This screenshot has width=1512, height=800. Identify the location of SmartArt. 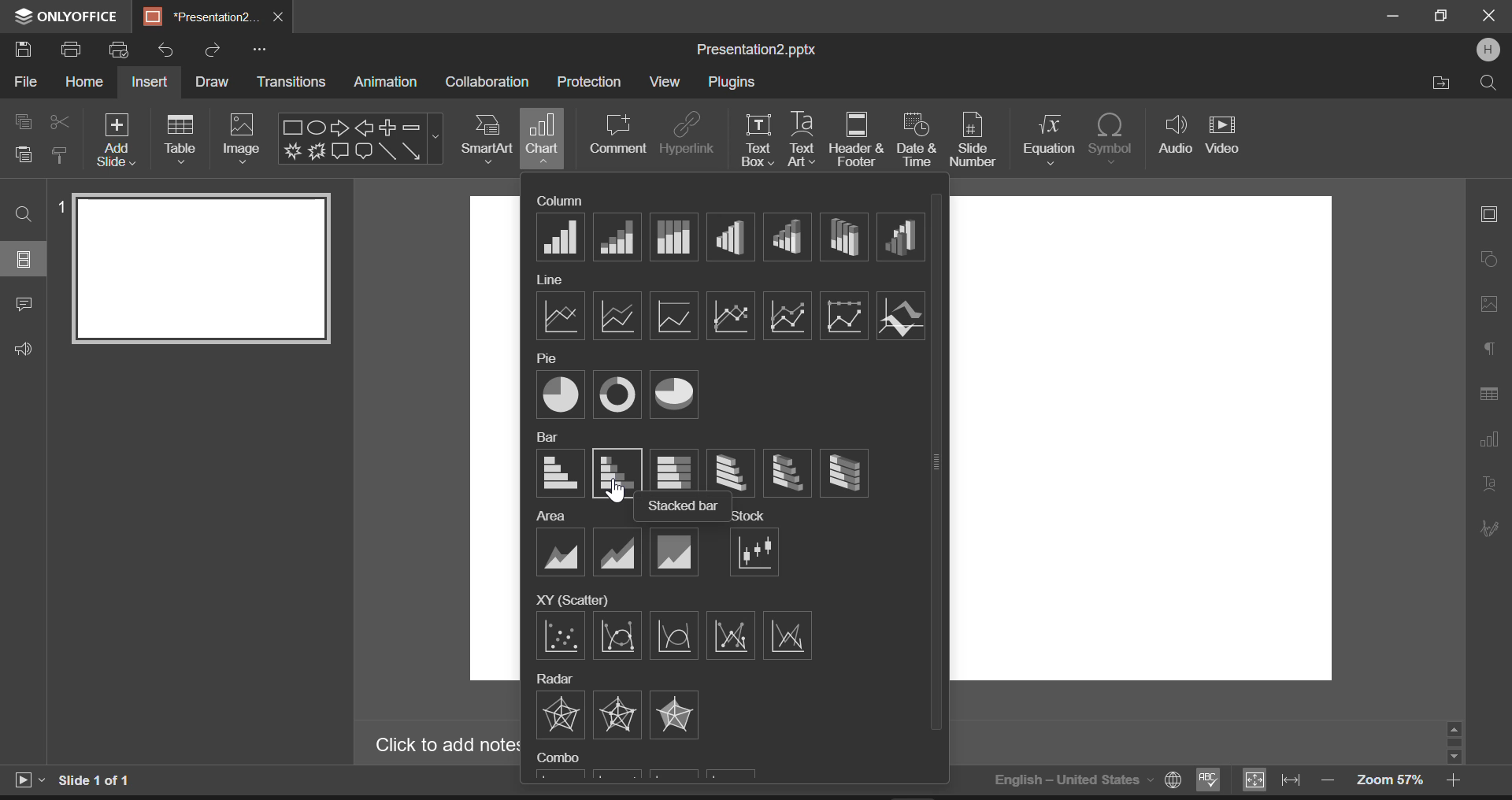
(487, 140).